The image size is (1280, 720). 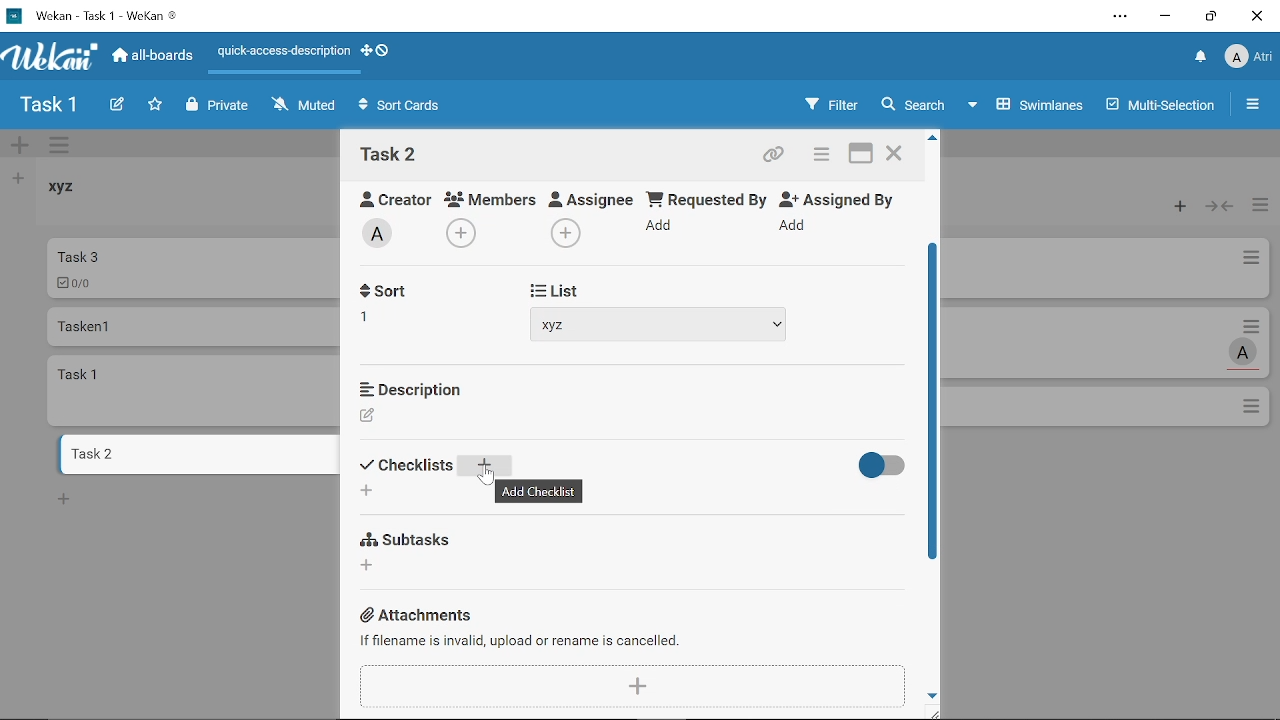 I want to click on Subtasks, so click(x=410, y=537).